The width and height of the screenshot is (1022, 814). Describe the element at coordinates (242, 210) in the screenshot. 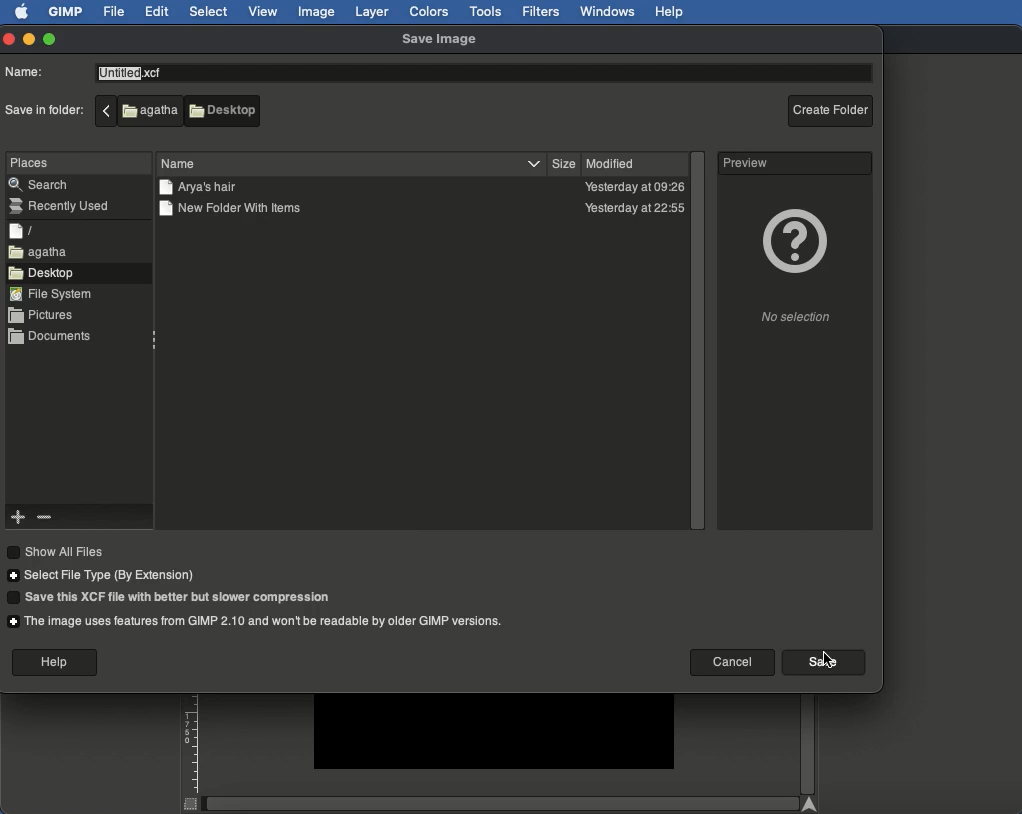

I see `New folder` at that location.